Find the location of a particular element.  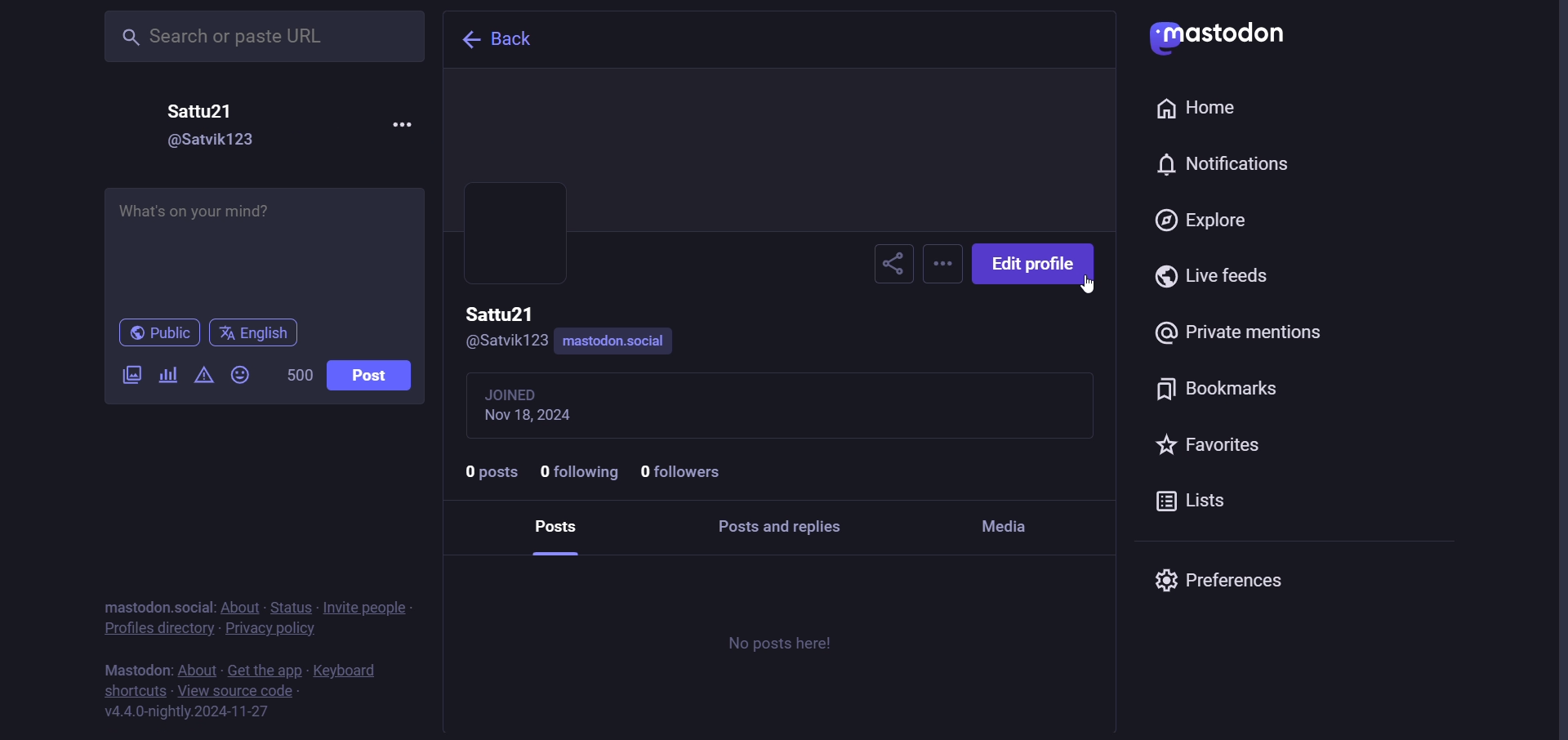

share is located at coordinates (887, 263).